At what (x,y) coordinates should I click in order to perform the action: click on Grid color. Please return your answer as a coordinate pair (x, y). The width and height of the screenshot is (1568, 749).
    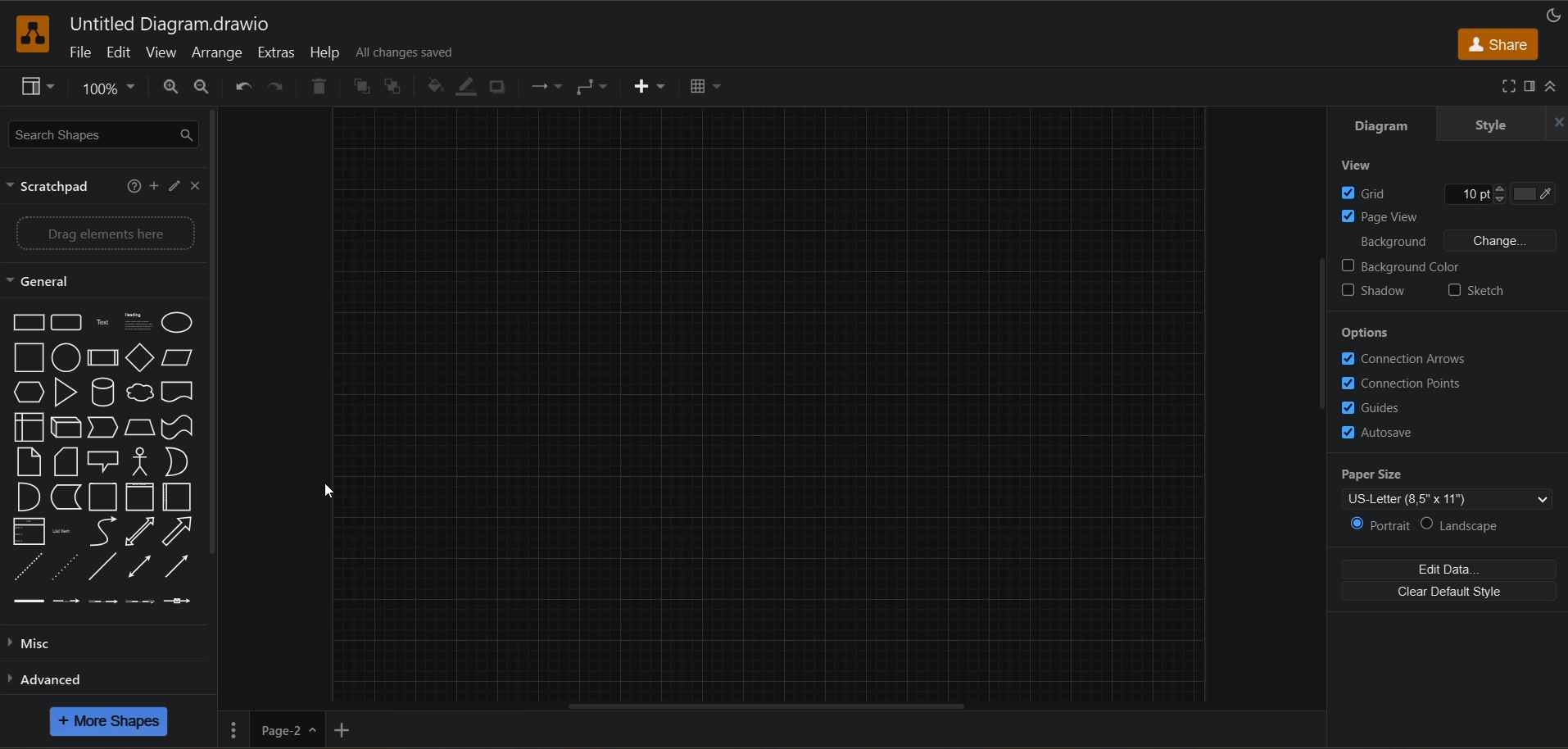
    Looking at the image, I should click on (1529, 194).